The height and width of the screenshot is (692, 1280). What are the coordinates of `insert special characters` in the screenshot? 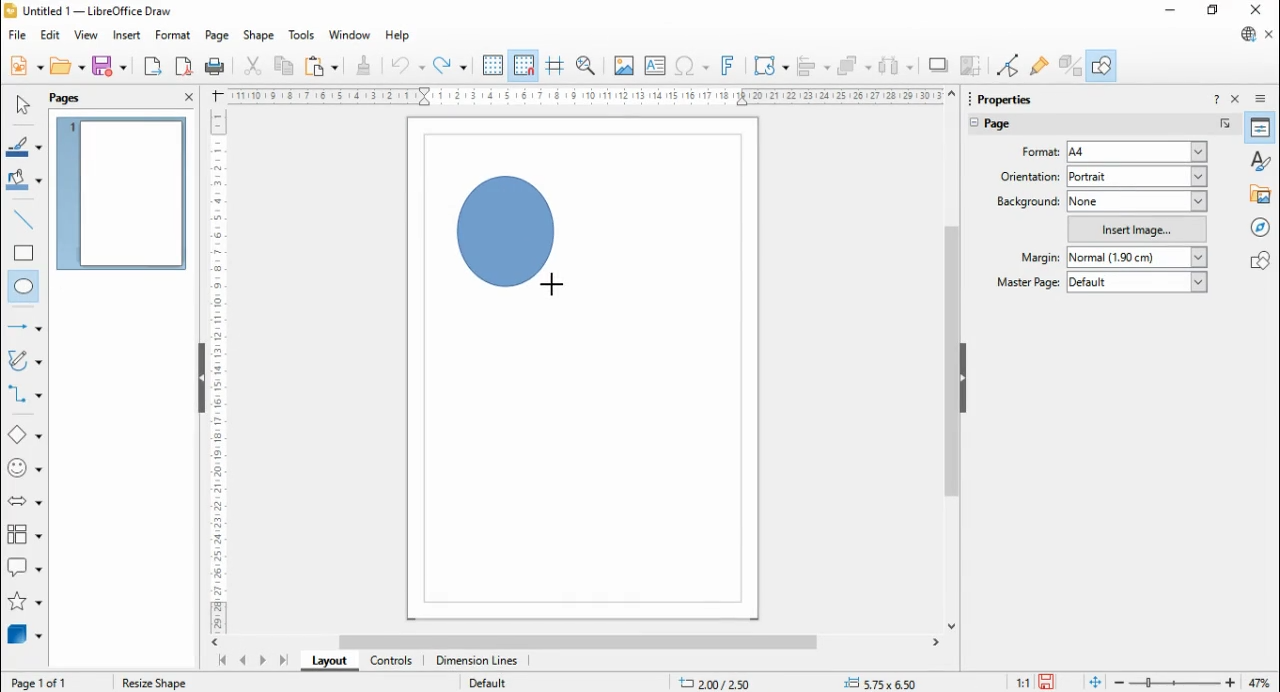 It's located at (693, 65).